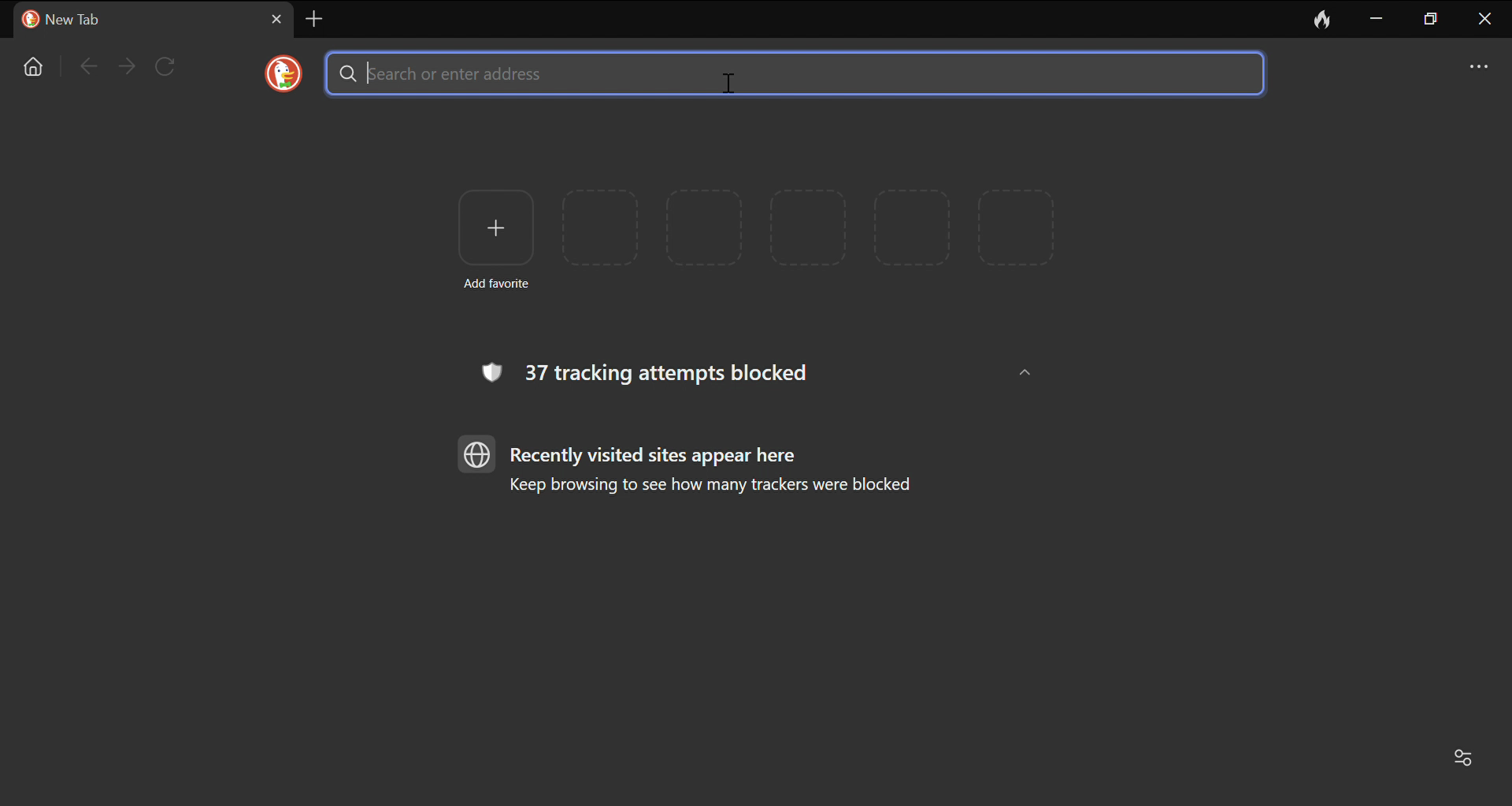  What do you see at coordinates (1486, 20) in the screenshot?
I see `close` at bounding box center [1486, 20].